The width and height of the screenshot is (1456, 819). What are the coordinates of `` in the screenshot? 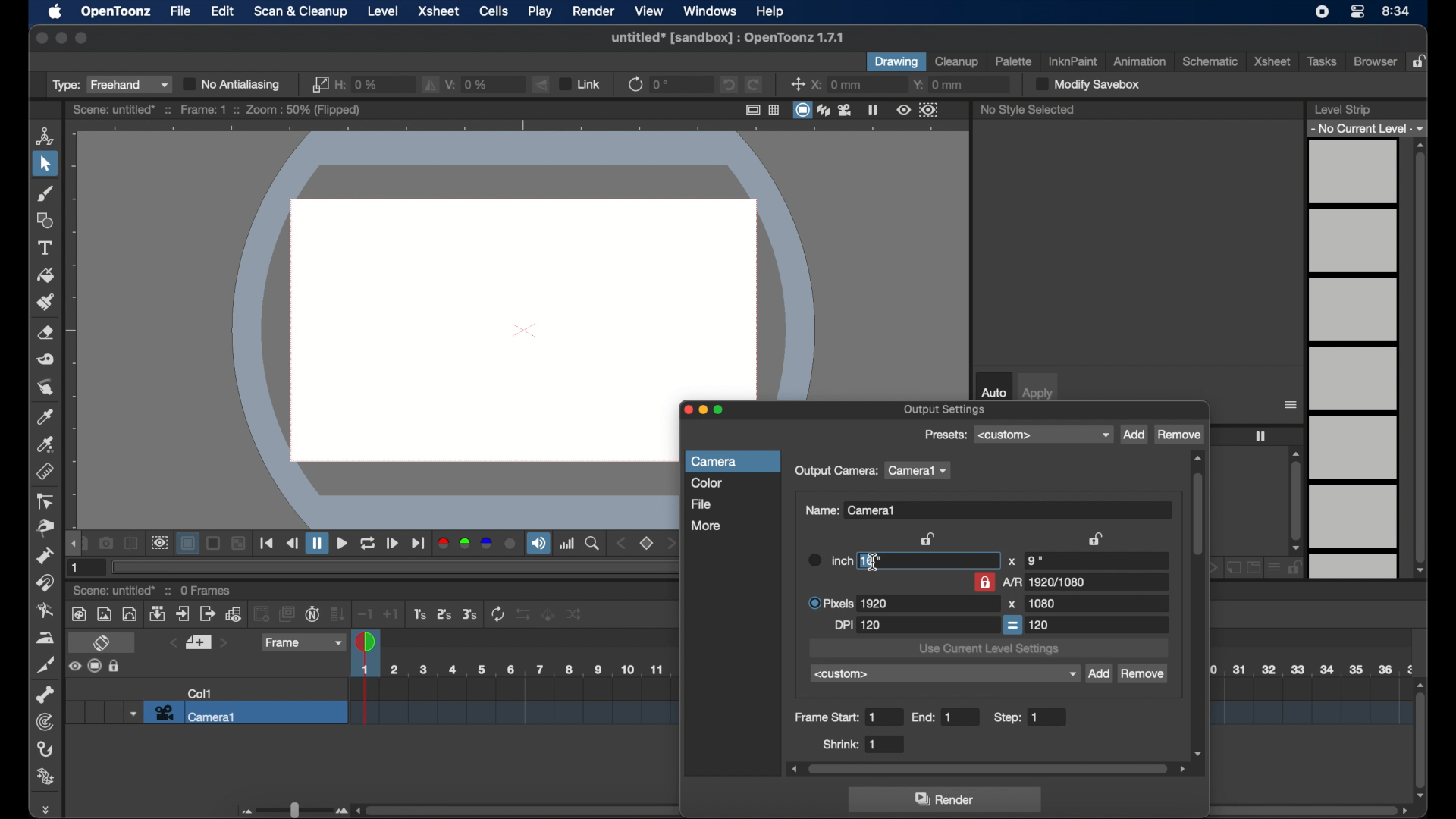 It's located at (95, 666).